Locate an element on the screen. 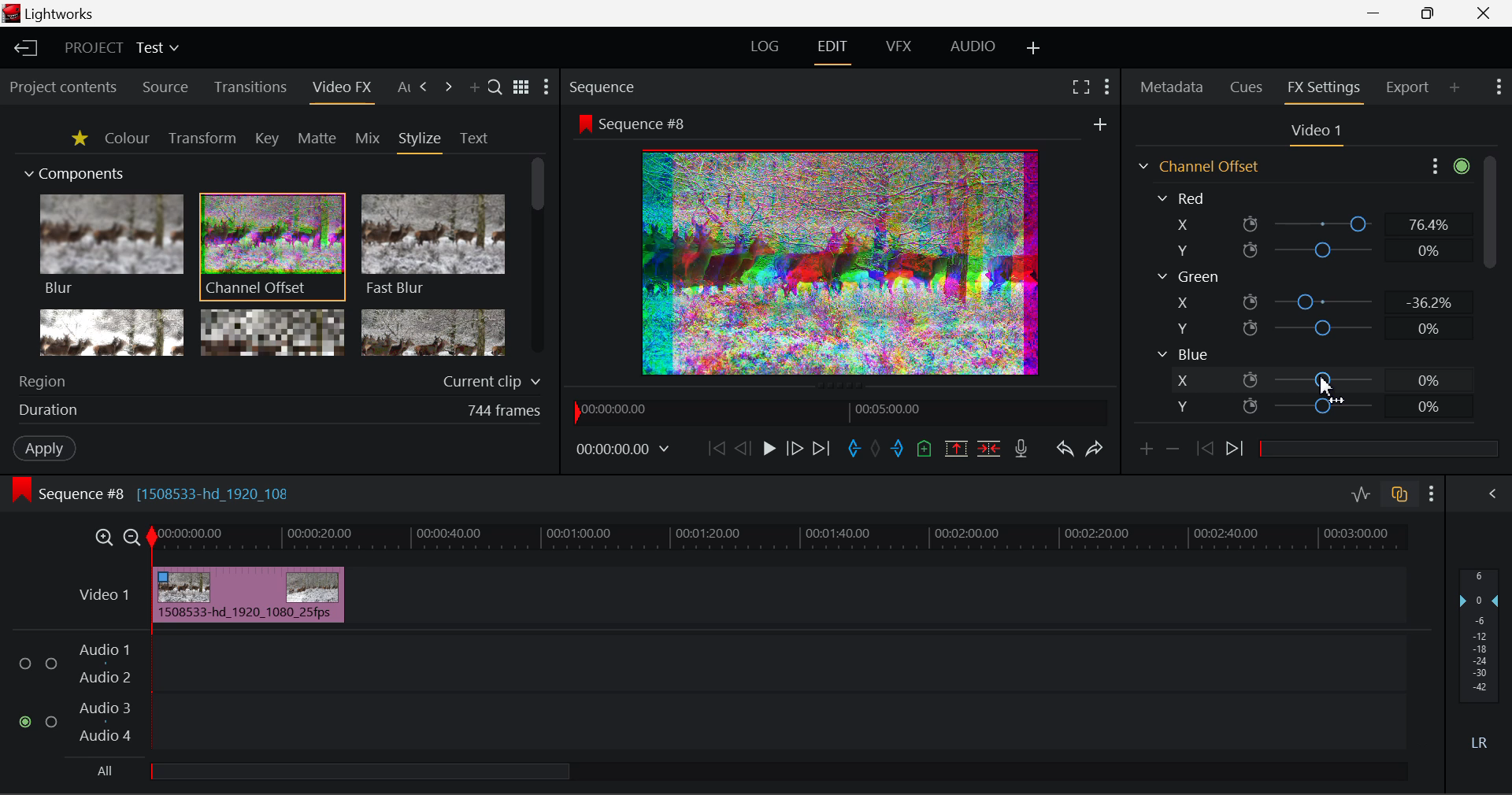 The width and height of the screenshot is (1512, 795). Blue Y is located at coordinates (1313, 405).